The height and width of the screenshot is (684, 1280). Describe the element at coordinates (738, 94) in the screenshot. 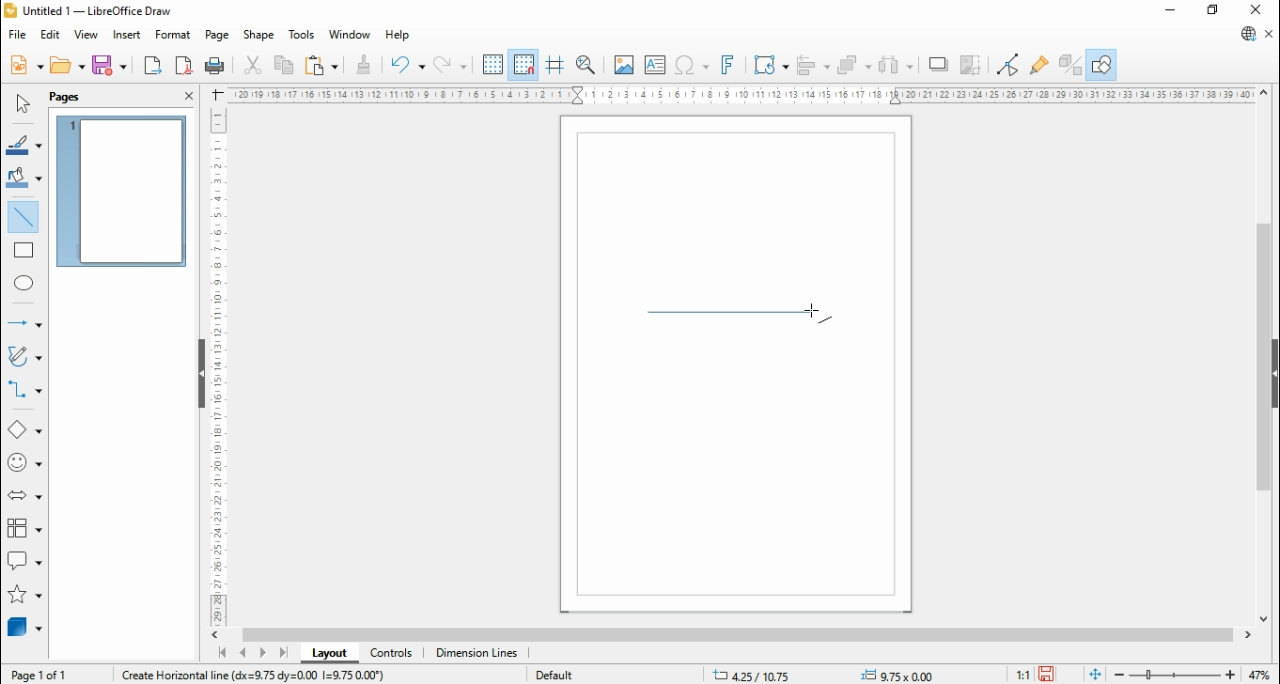

I see `Scale` at that location.